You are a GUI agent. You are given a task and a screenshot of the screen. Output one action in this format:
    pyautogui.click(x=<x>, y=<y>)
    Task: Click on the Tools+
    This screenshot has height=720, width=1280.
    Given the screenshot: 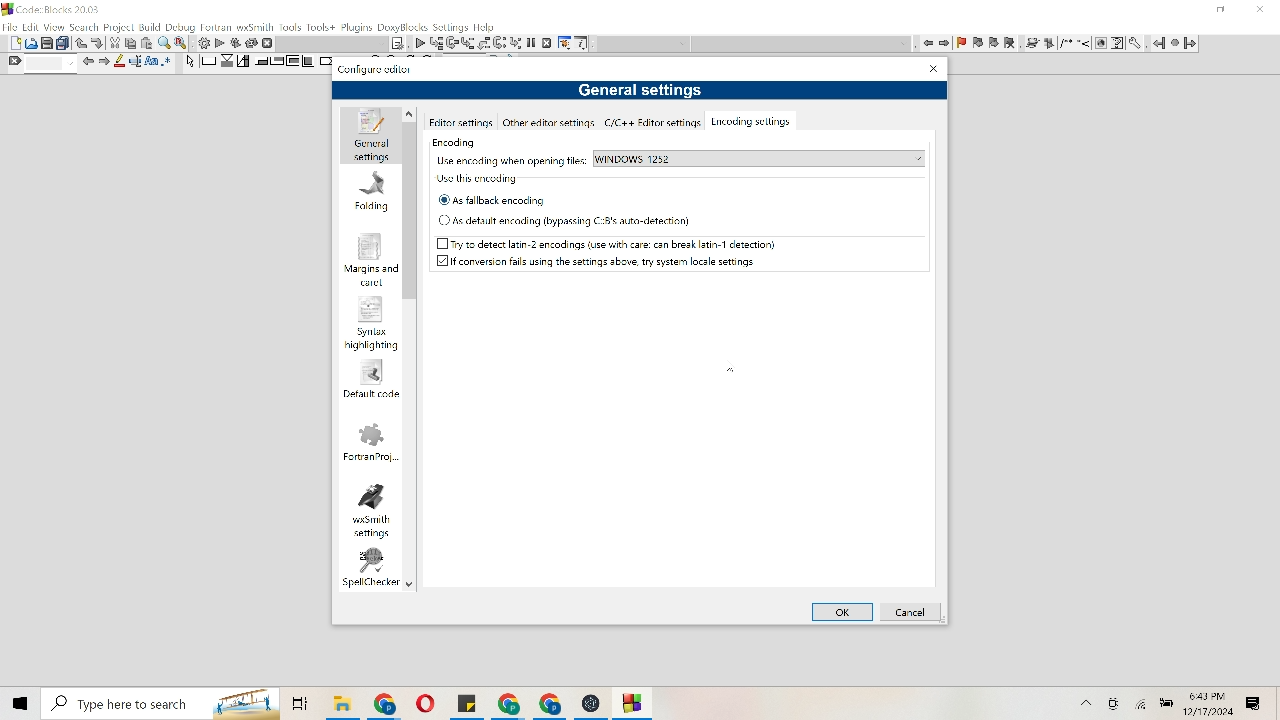 What is the action you would take?
    pyautogui.click(x=321, y=28)
    